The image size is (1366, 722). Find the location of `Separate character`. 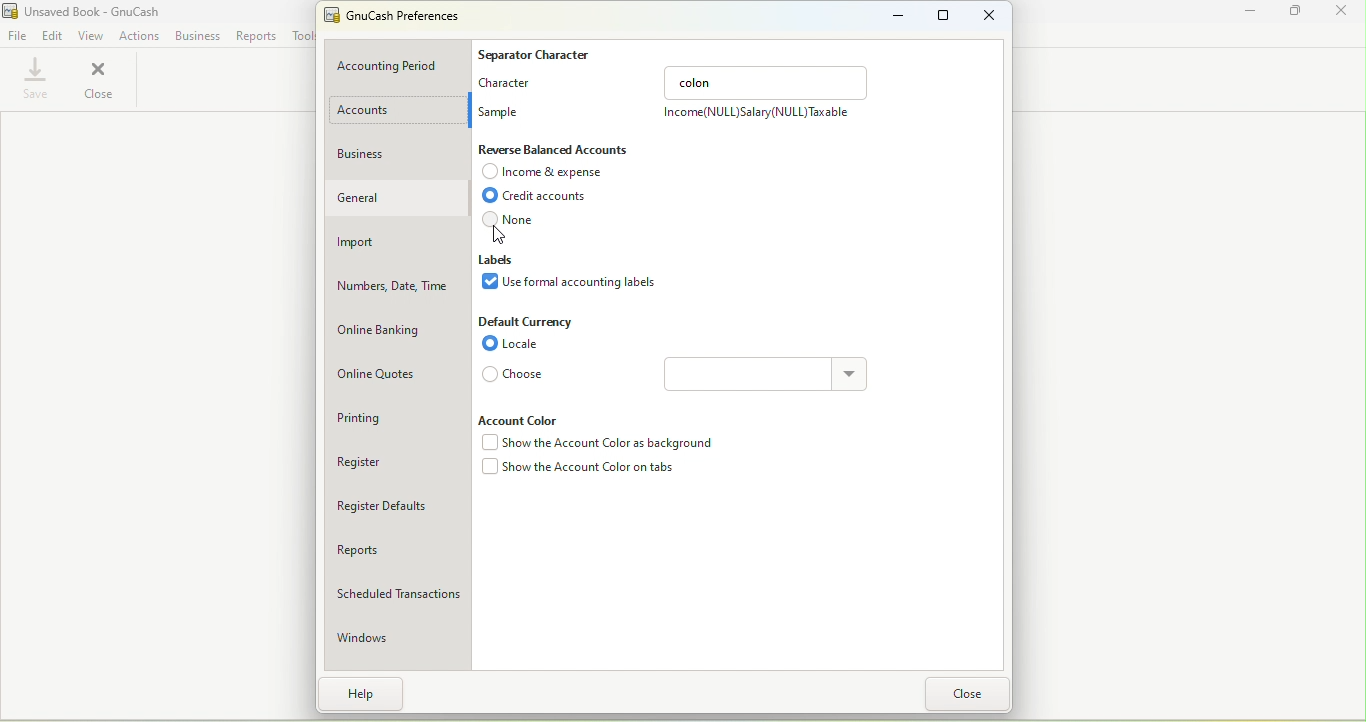

Separate character is located at coordinates (540, 55).